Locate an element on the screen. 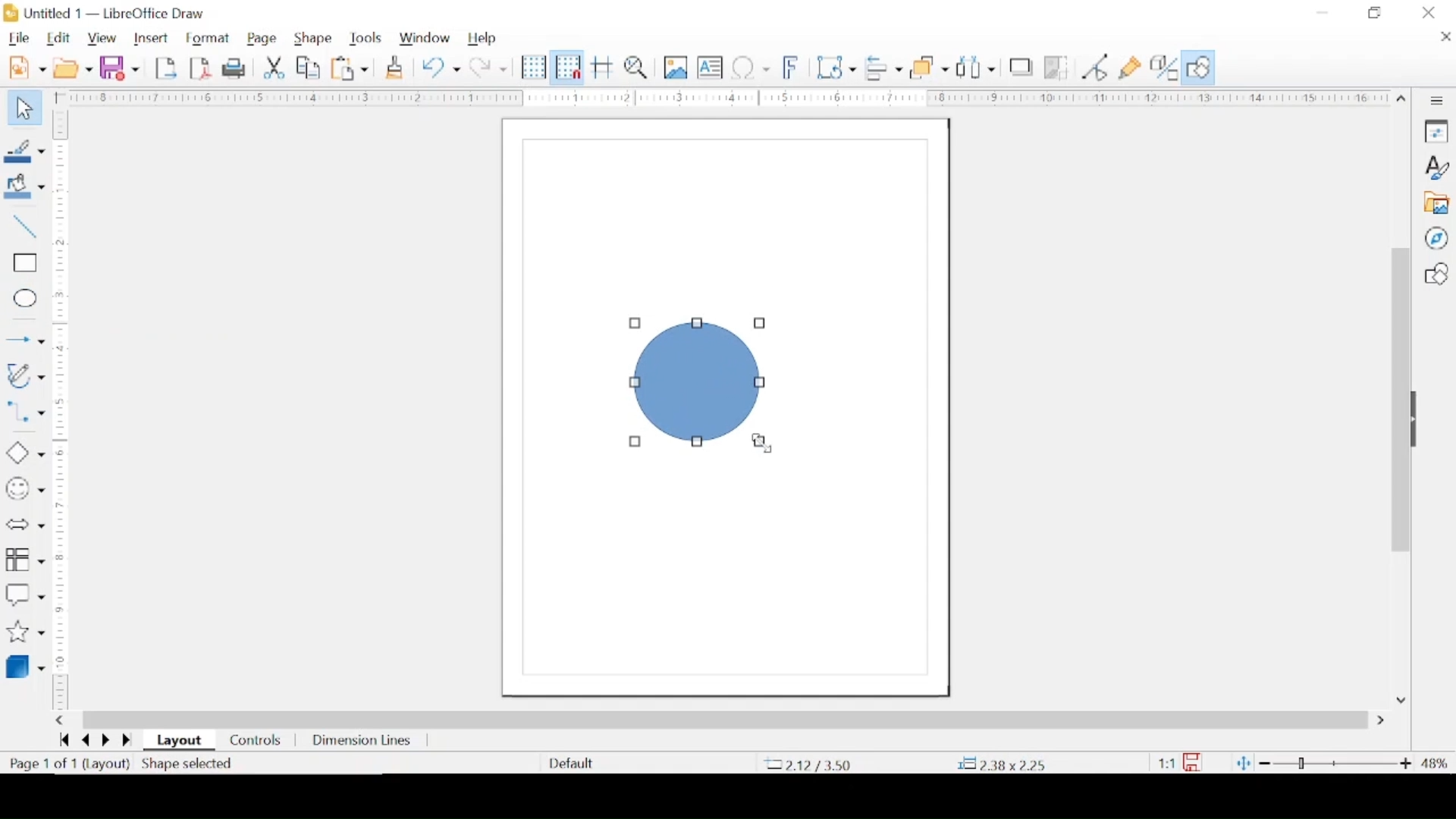  clone formatting is located at coordinates (393, 67).